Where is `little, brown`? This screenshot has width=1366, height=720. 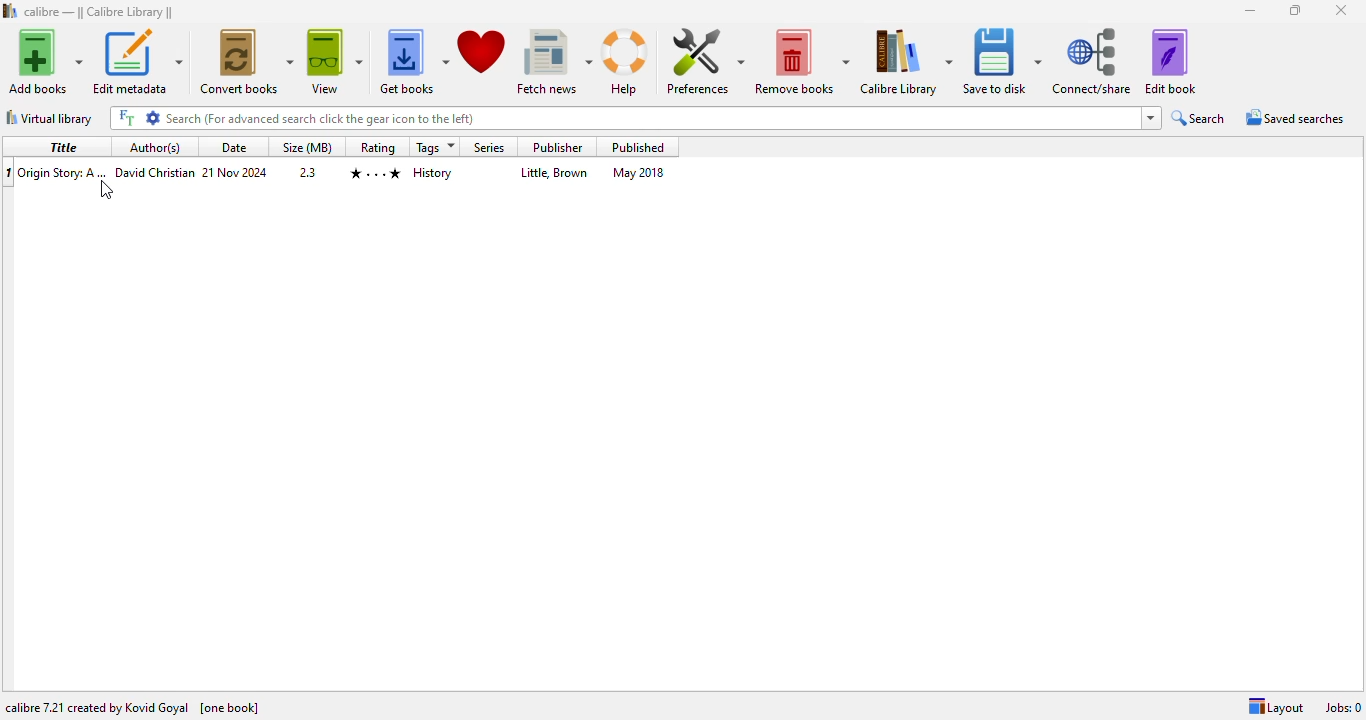
little, brown is located at coordinates (556, 172).